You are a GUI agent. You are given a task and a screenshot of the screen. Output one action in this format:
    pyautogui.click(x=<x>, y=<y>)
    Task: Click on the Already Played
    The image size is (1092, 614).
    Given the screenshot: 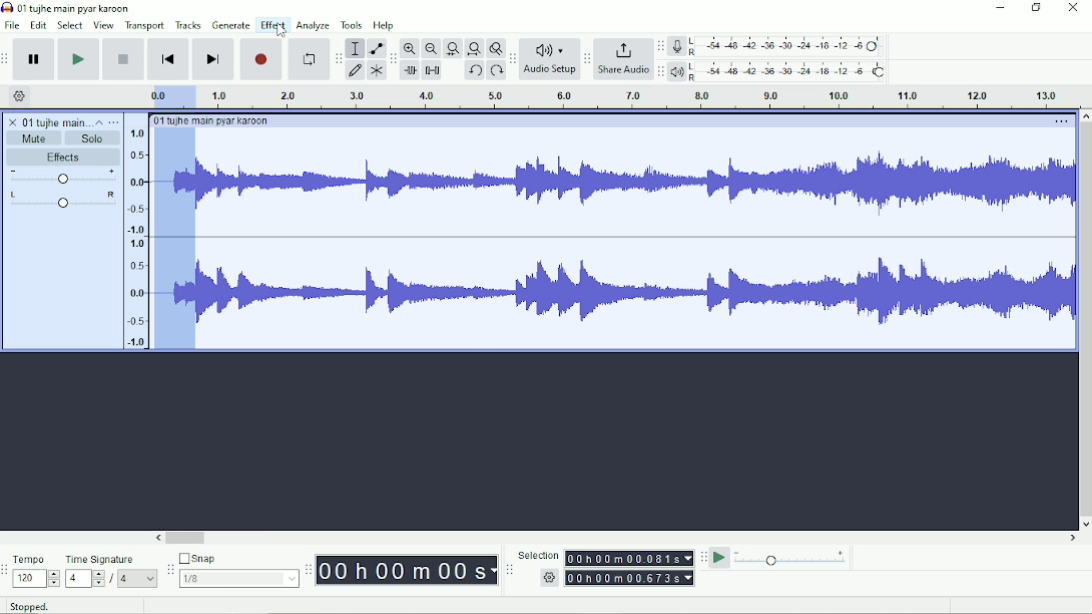 What is the action you would take?
    pyautogui.click(x=169, y=96)
    